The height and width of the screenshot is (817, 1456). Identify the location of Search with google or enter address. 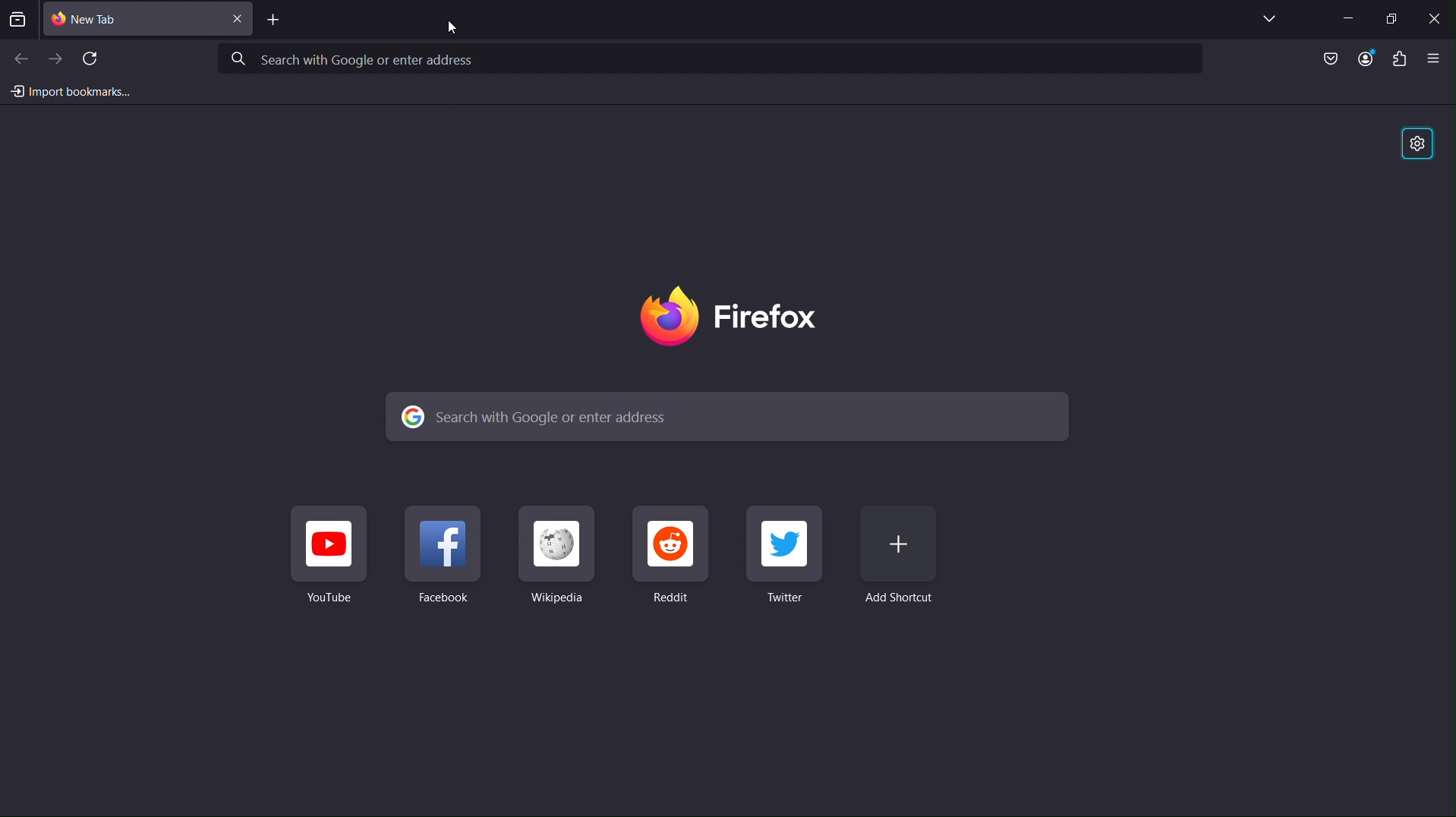
(726, 417).